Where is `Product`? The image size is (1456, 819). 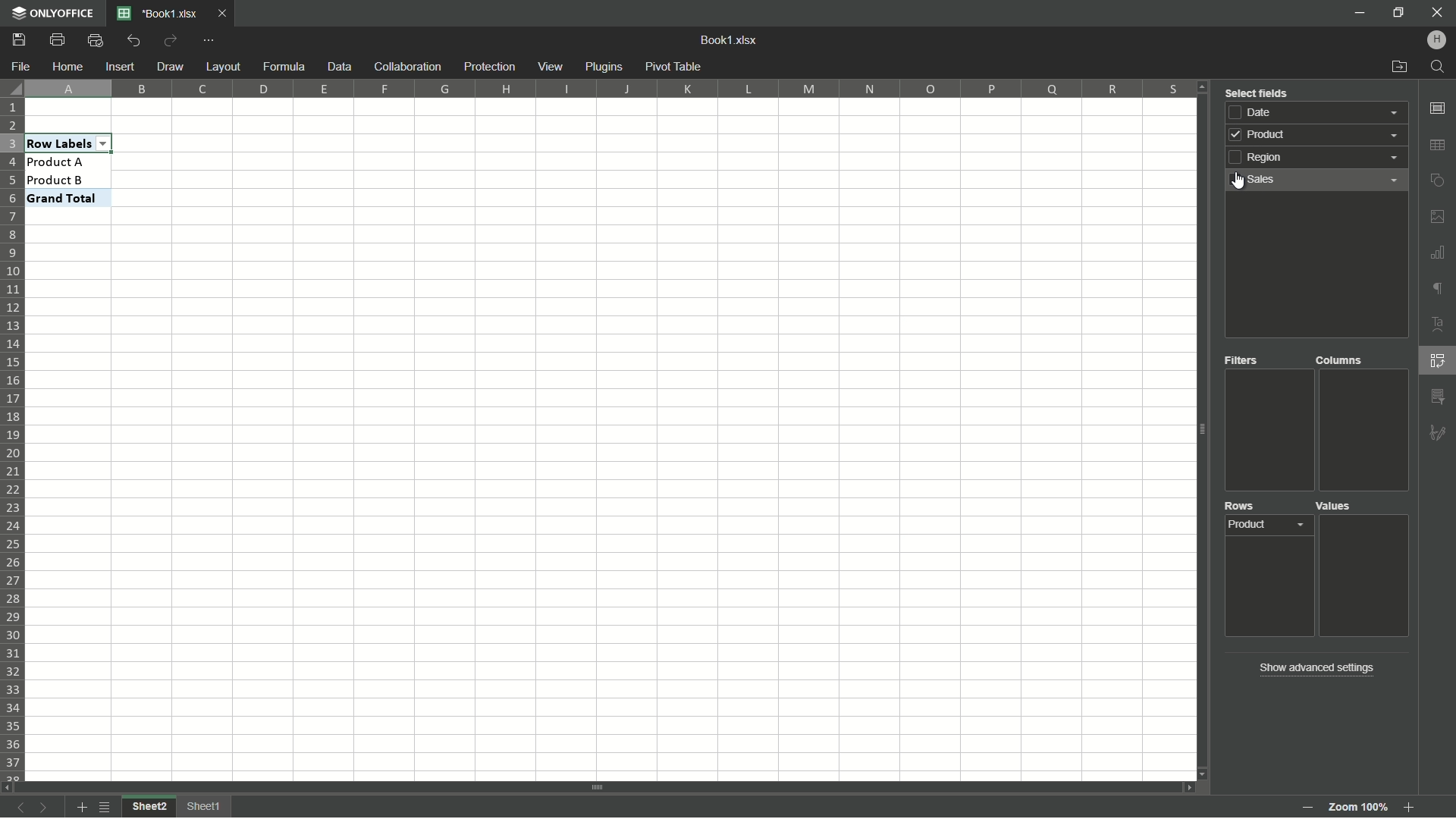
Product is located at coordinates (1318, 137).